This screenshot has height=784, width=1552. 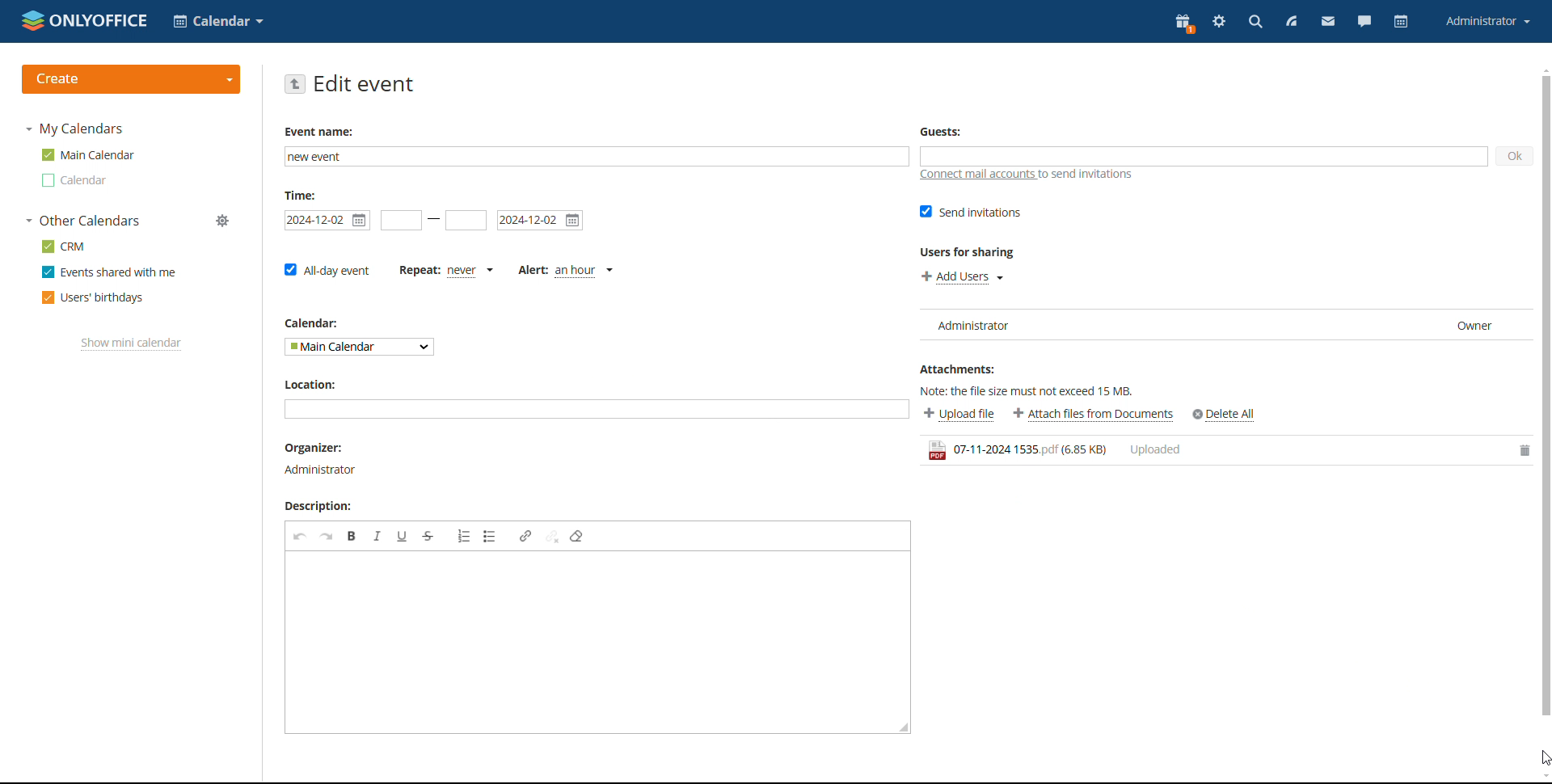 I want to click on scroll down, so click(x=1542, y=778).